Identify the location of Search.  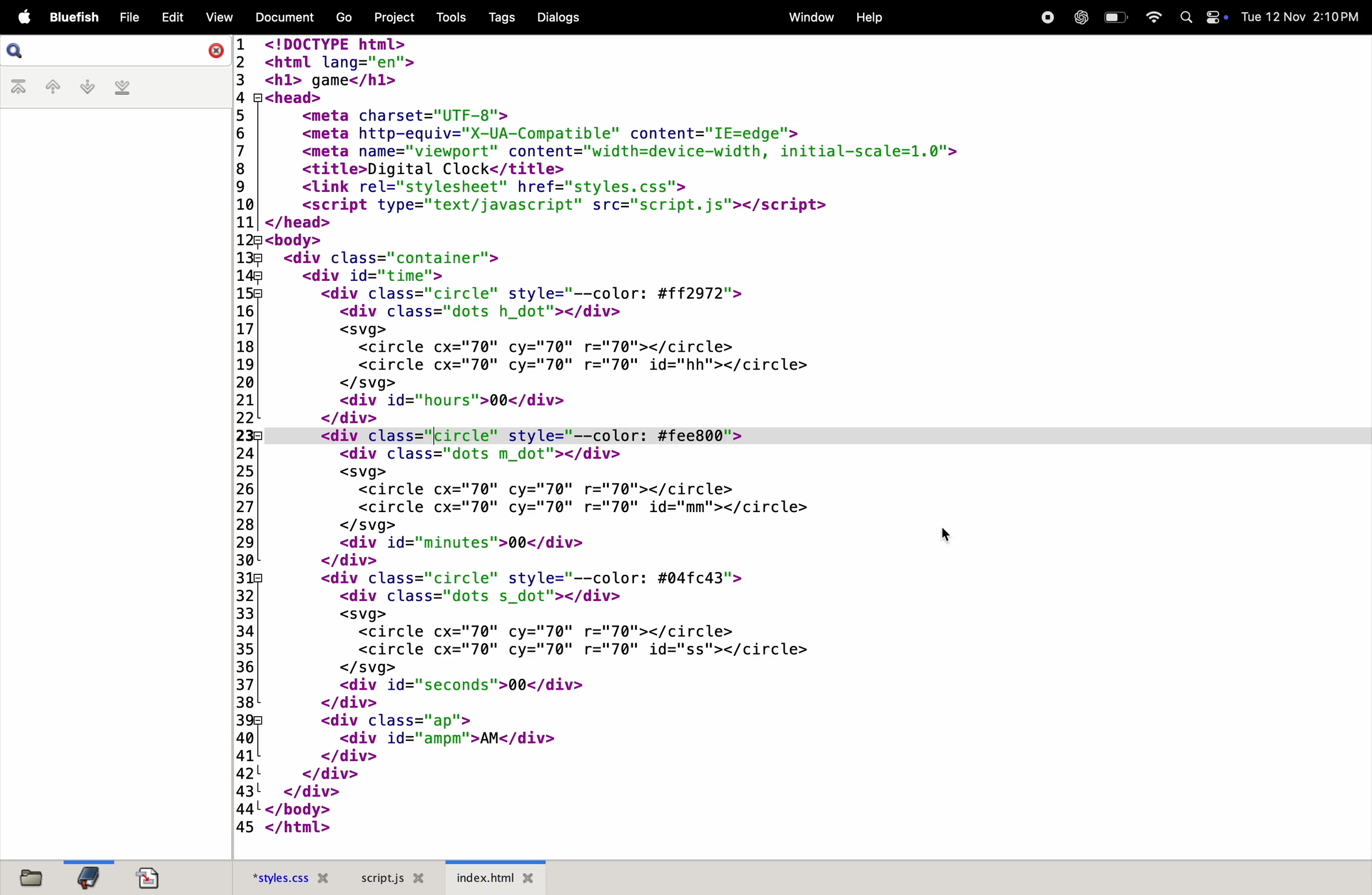
(1187, 19).